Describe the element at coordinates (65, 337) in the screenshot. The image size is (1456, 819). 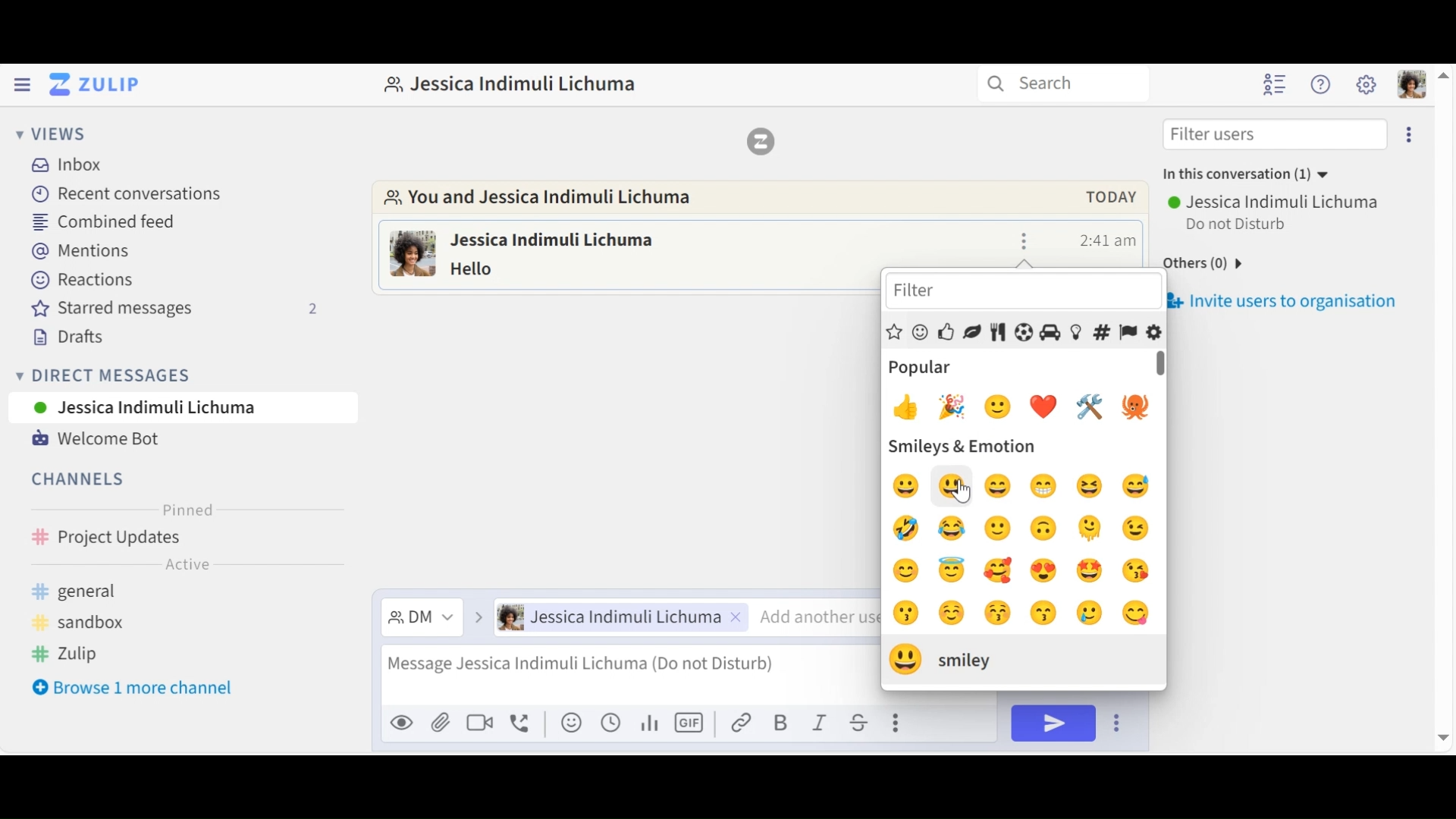
I see `Drafts` at that location.